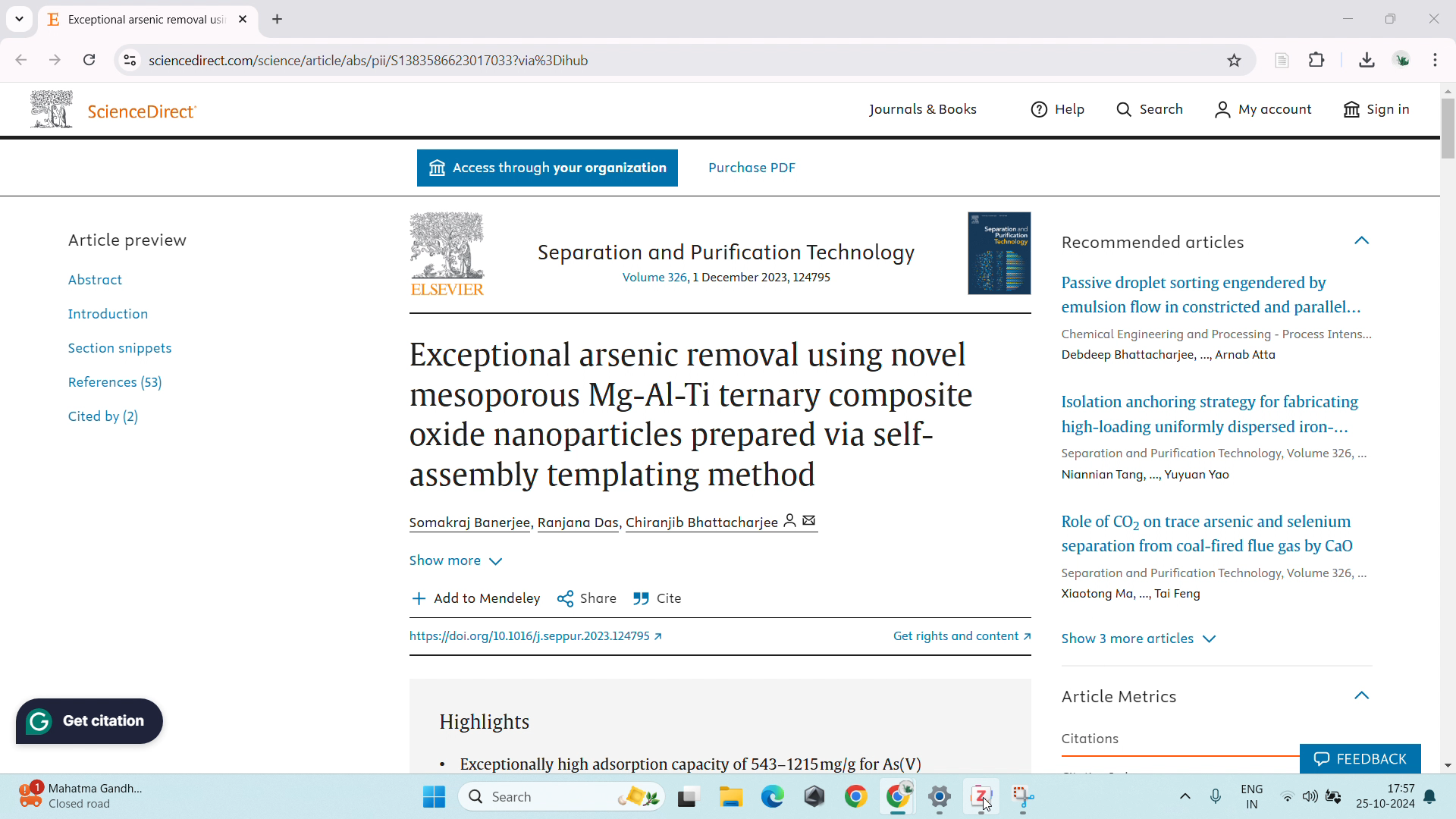 Image resolution: width=1456 pixels, height=819 pixels. What do you see at coordinates (92, 721) in the screenshot?
I see `Grammarly` at bounding box center [92, 721].